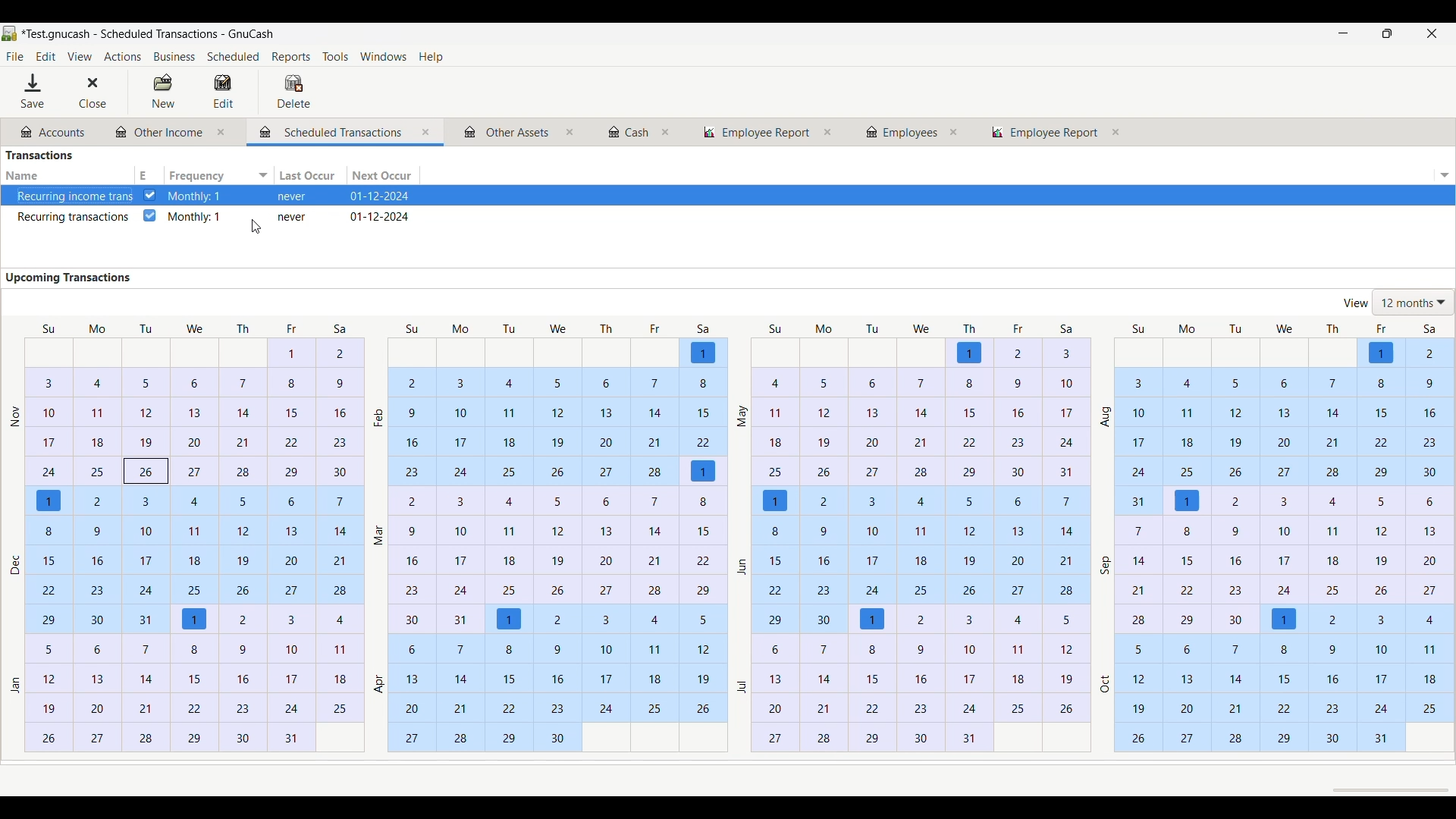  I want to click on close, so click(668, 131).